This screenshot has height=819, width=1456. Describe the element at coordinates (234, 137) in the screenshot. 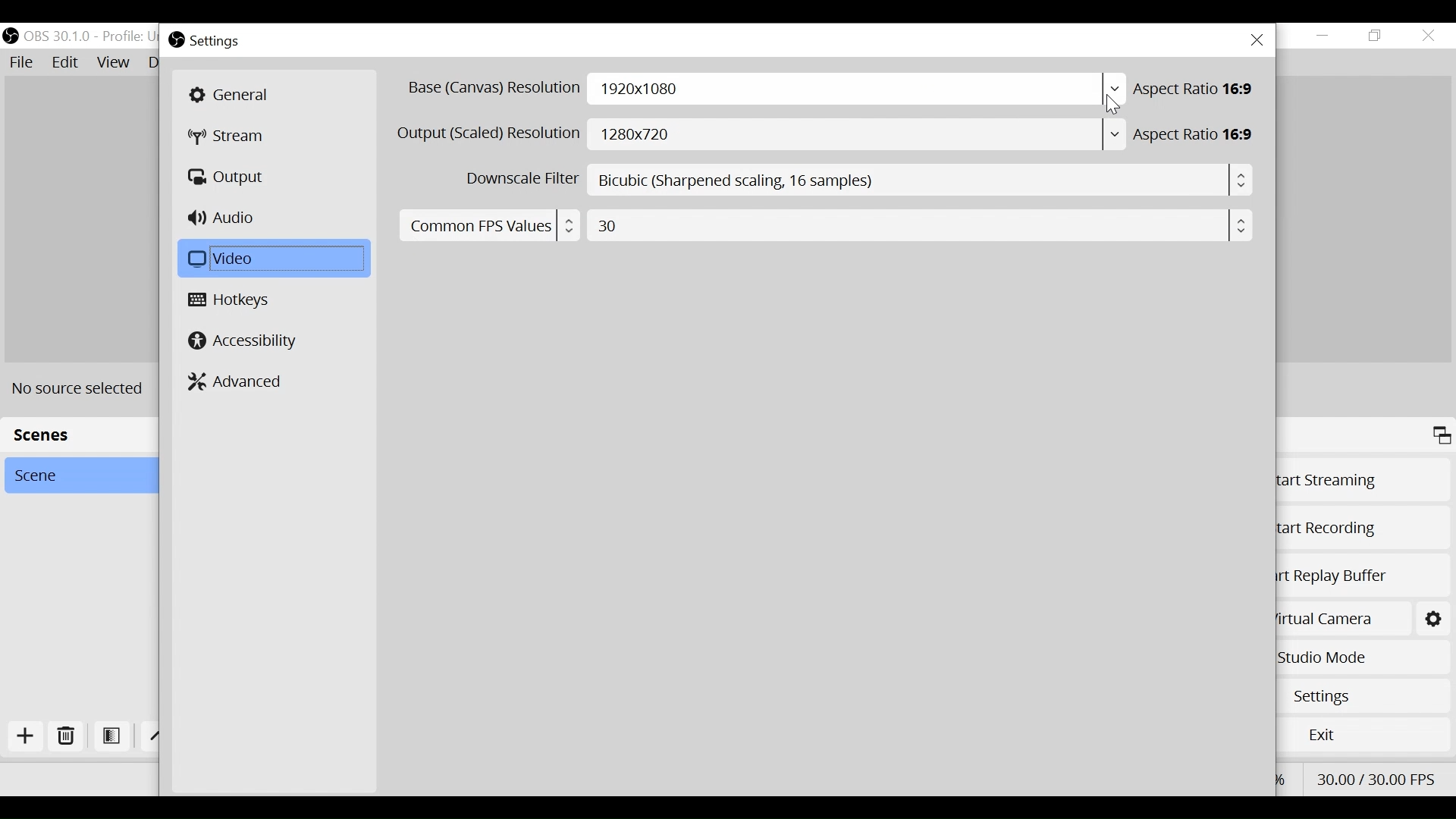

I see `Stream` at that location.